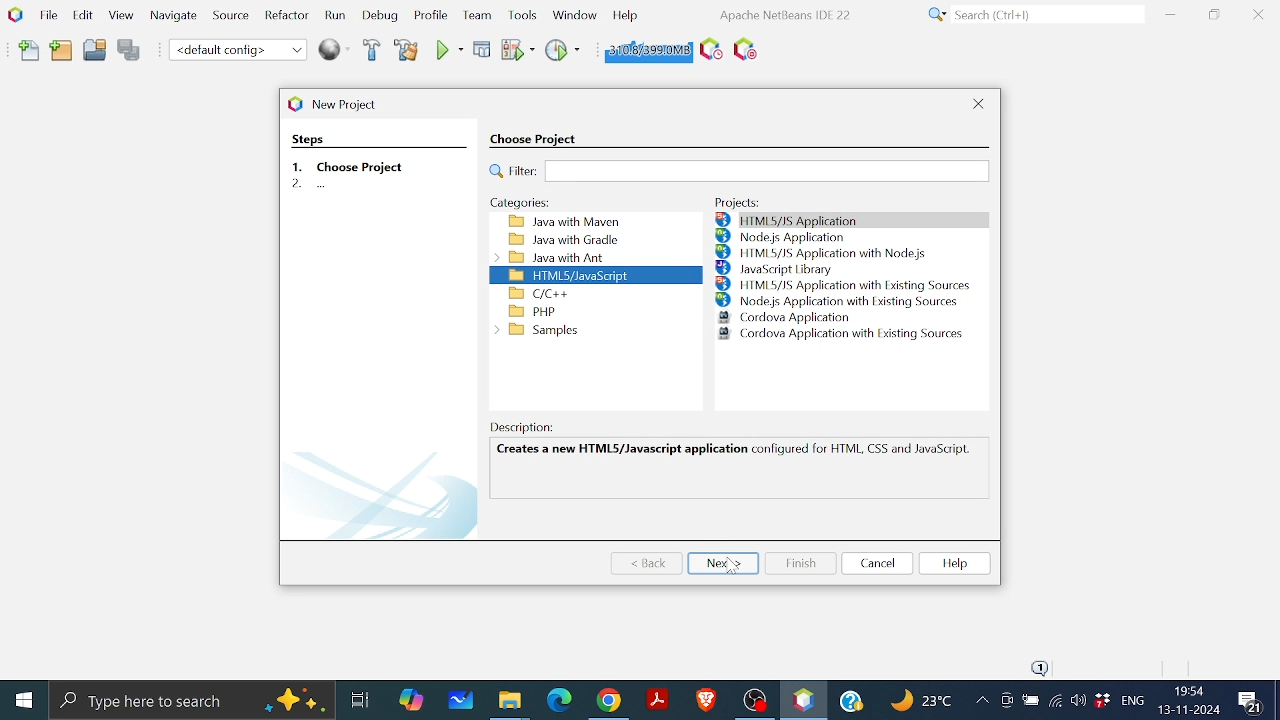 Image resolution: width=1280 pixels, height=720 pixels. I want to click on Edit, so click(80, 14).